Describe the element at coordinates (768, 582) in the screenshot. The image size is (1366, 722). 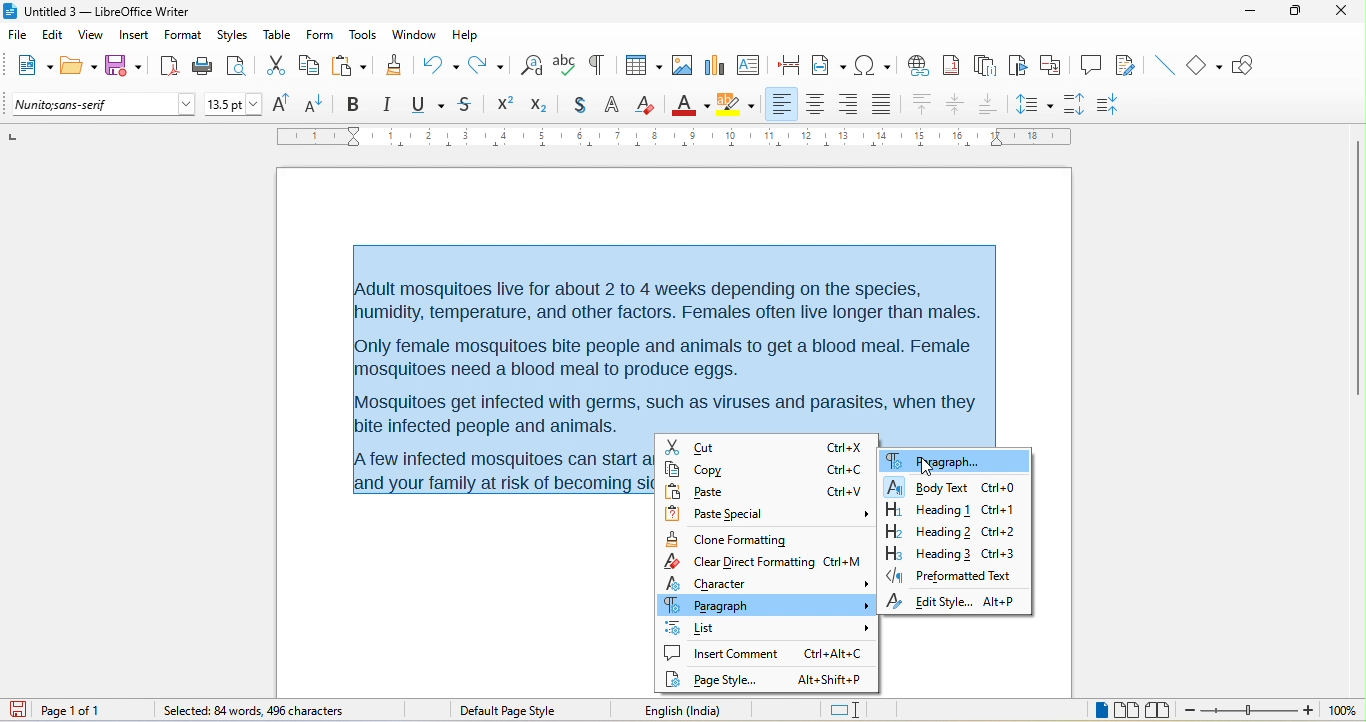
I see `character` at that location.